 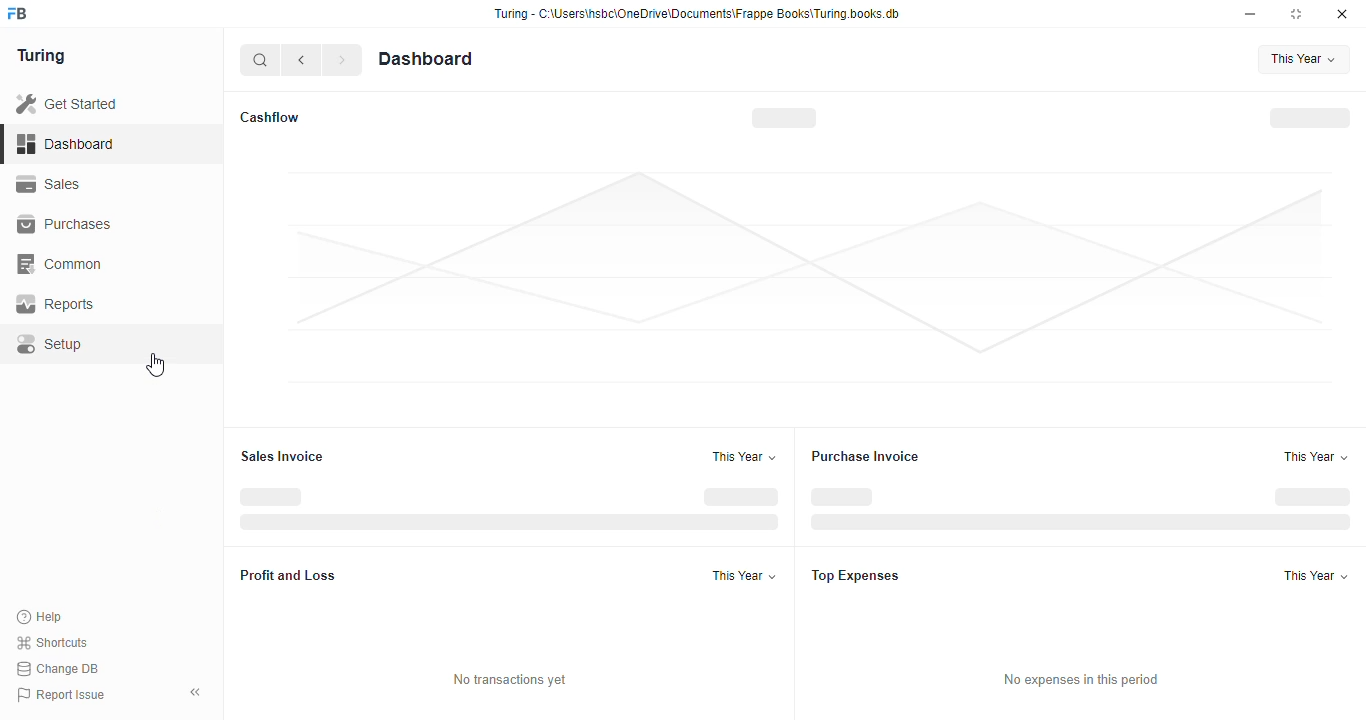 What do you see at coordinates (40, 56) in the screenshot?
I see `turing` at bounding box center [40, 56].